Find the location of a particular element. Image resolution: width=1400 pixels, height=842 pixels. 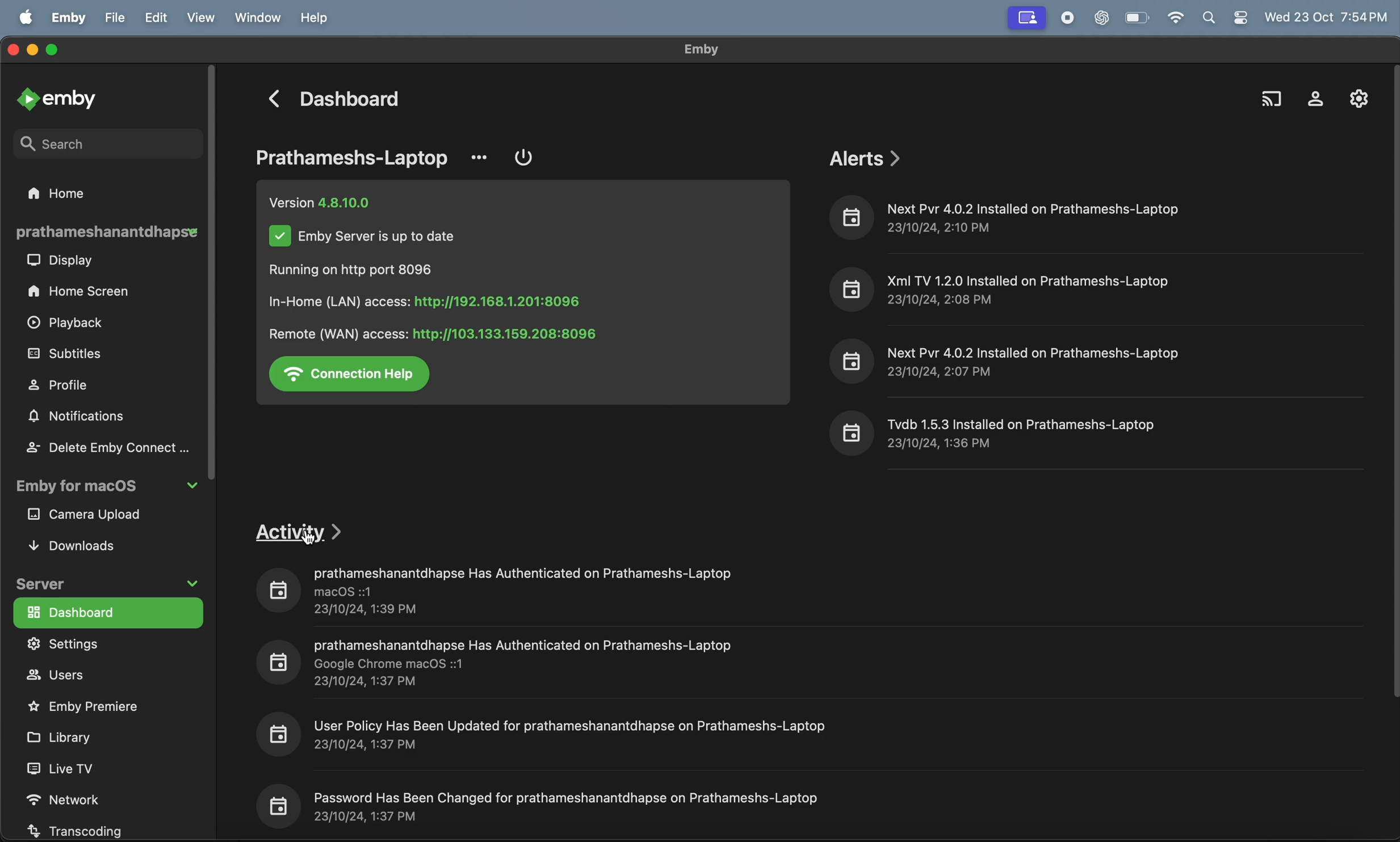

emby premire is located at coordinates (92, 705).